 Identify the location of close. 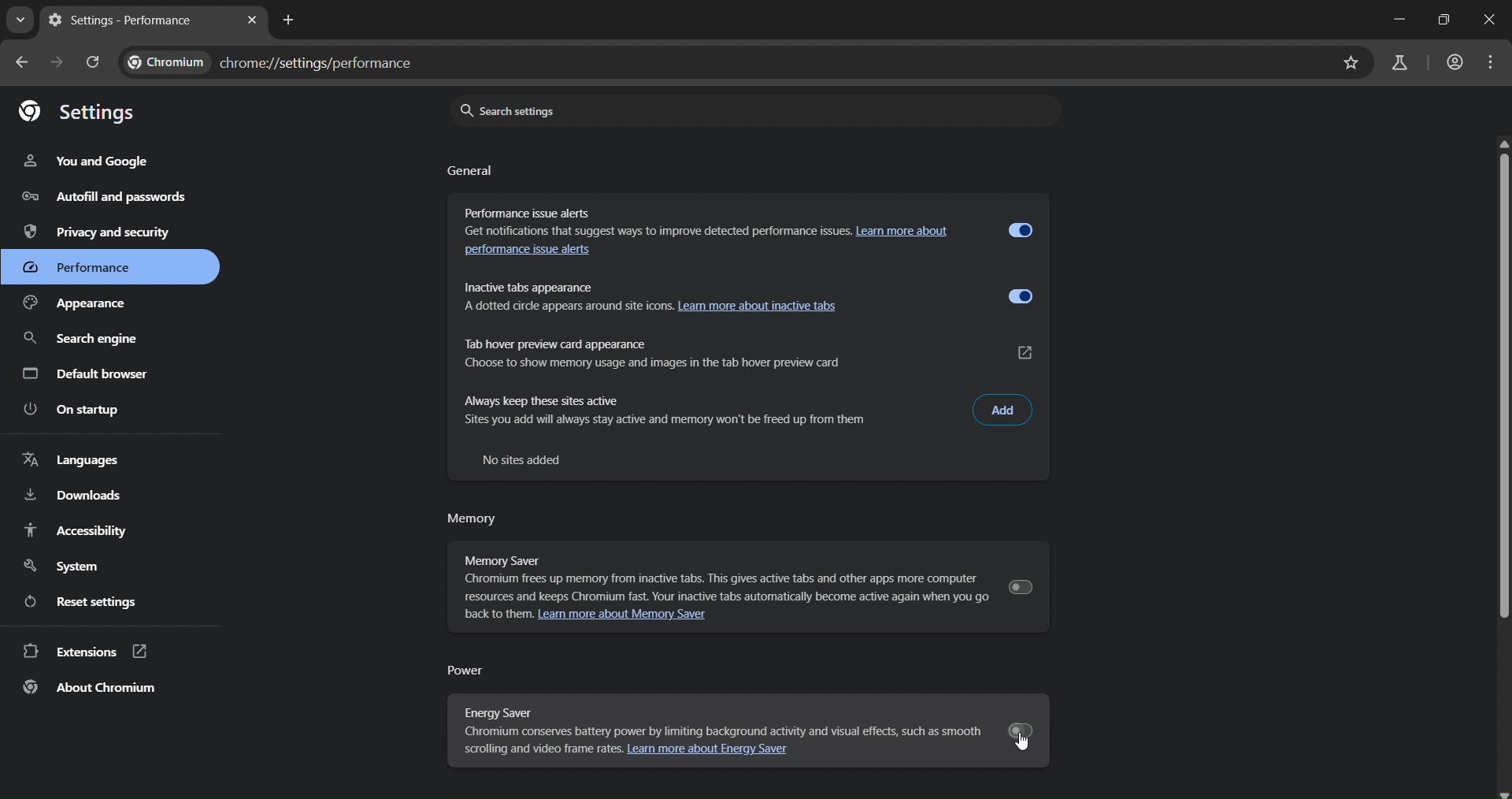
(1492, 20).